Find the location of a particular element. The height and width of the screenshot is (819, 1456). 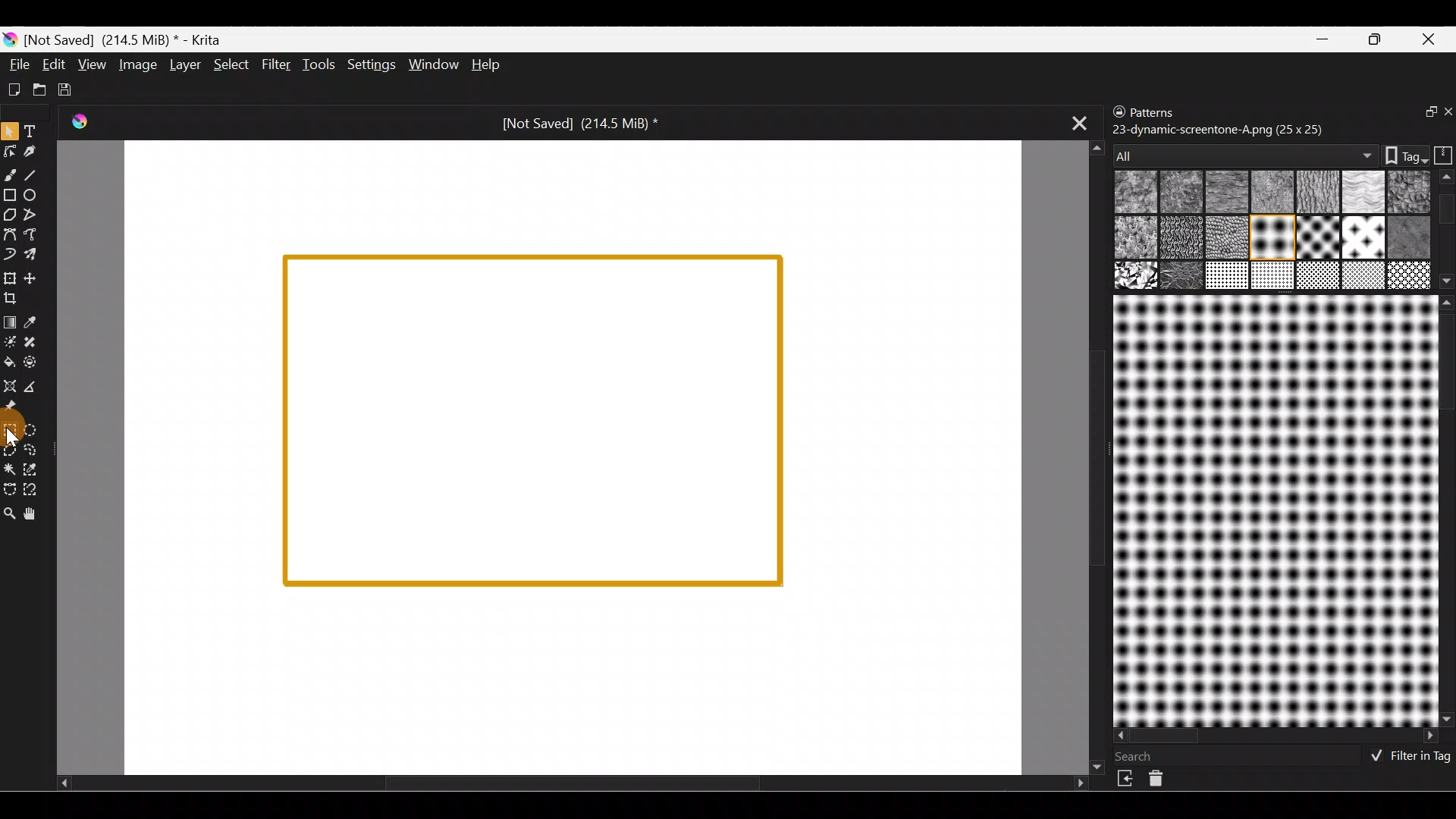

13 drawed_swirl.png is located at coordinates (1412, 237).